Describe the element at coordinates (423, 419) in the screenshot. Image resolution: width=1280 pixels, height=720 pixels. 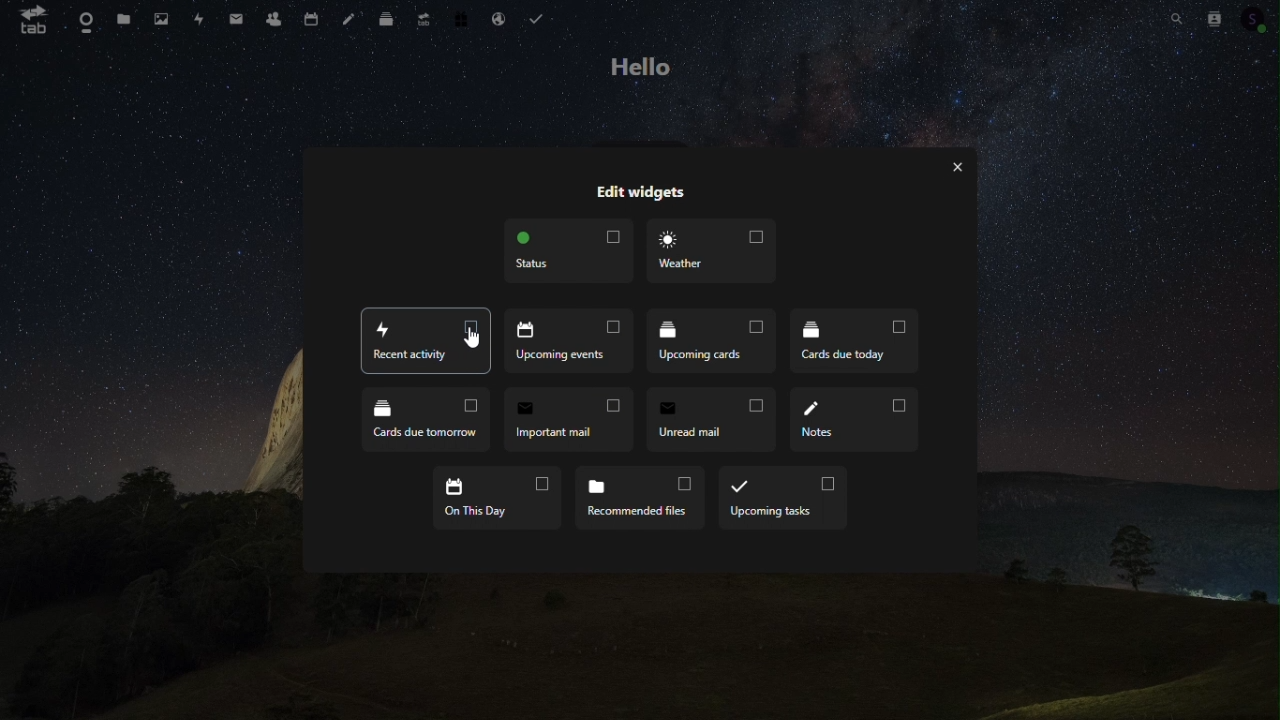
I see `cards due tomorrow` at that location.